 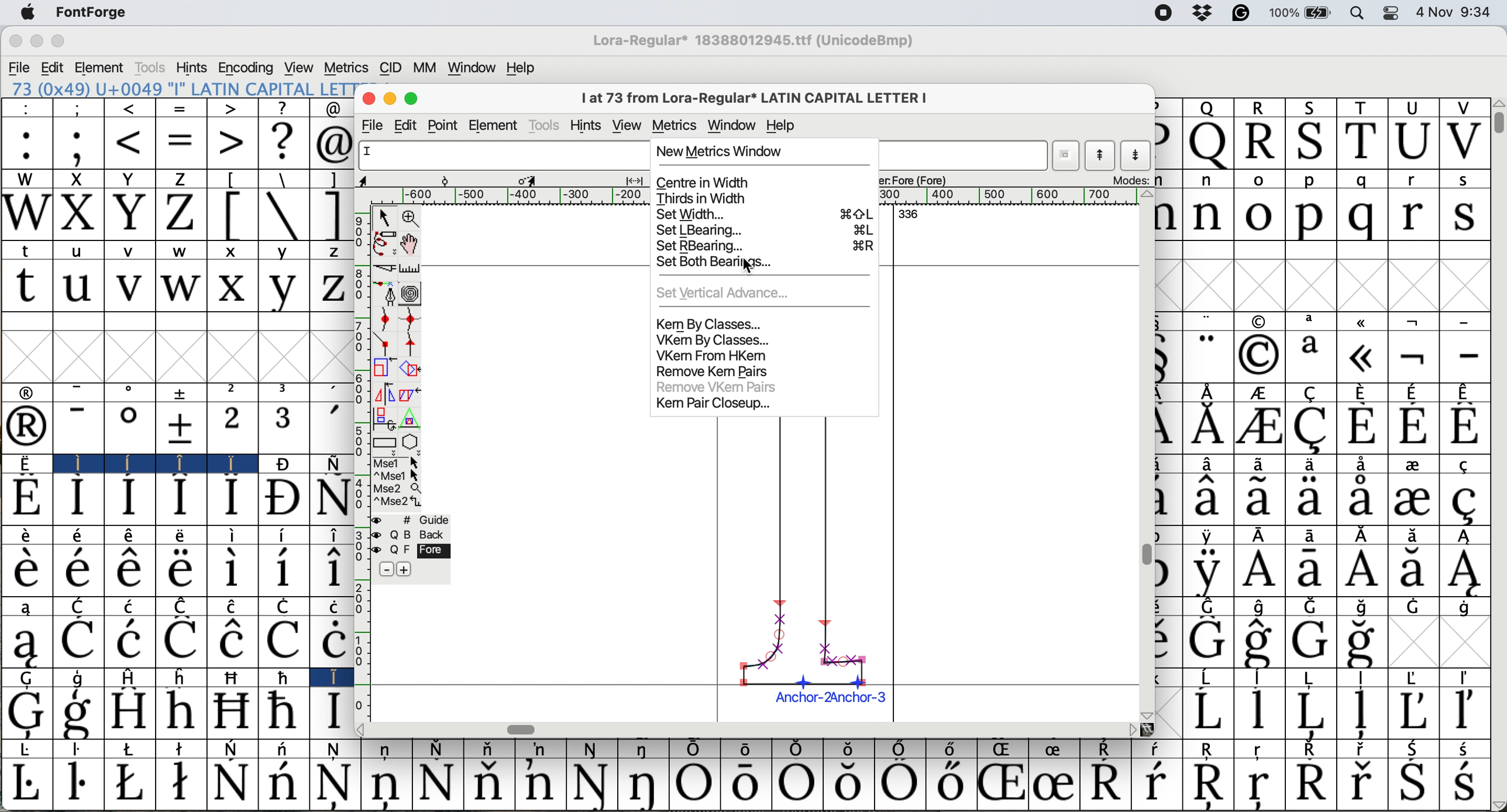 What do you see at coordinates (130, 782) in the screenshot?
I see `Symbol` at bounding box center [130, 782].